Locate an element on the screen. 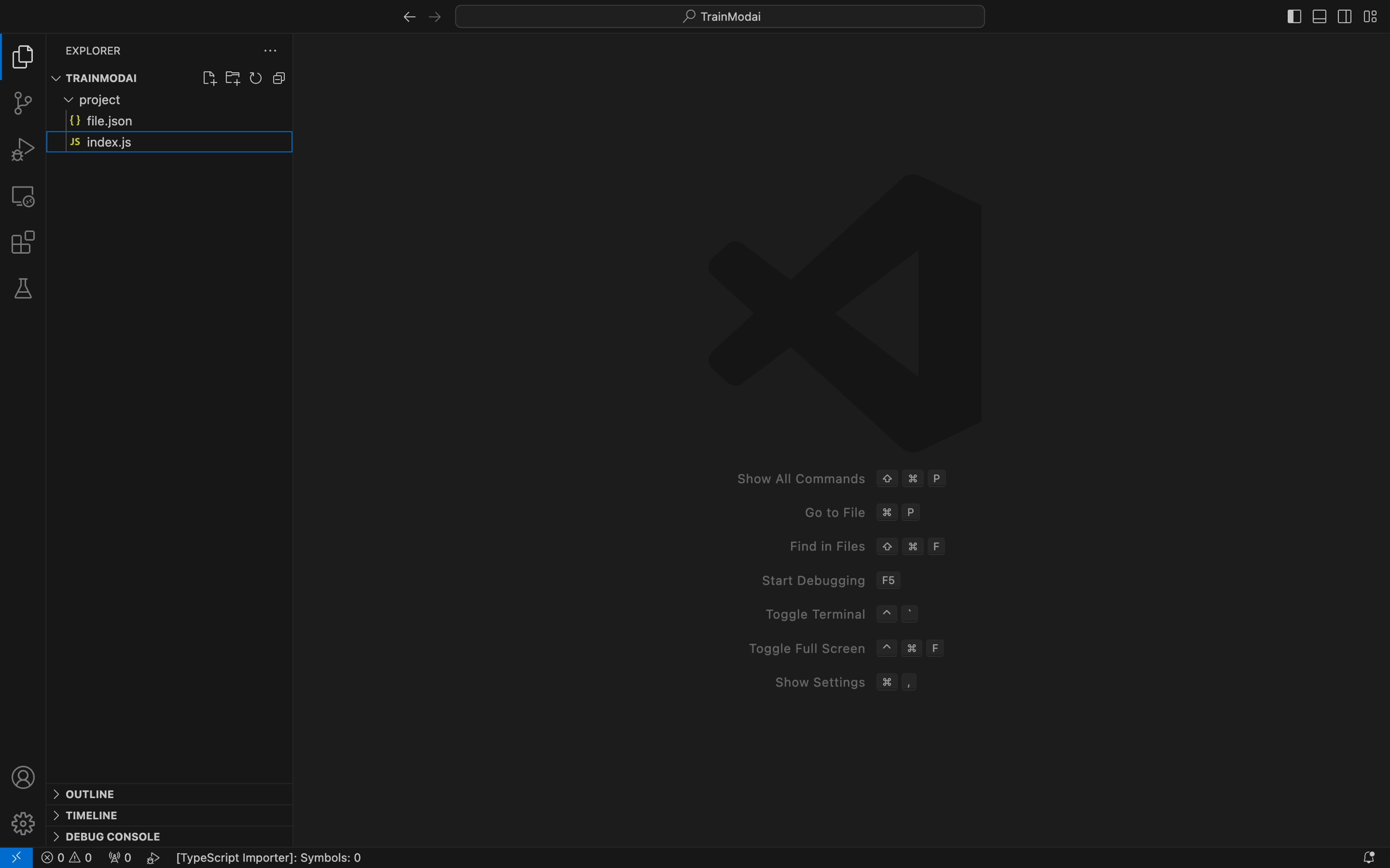  debug console is located at coordinates (109, 835).